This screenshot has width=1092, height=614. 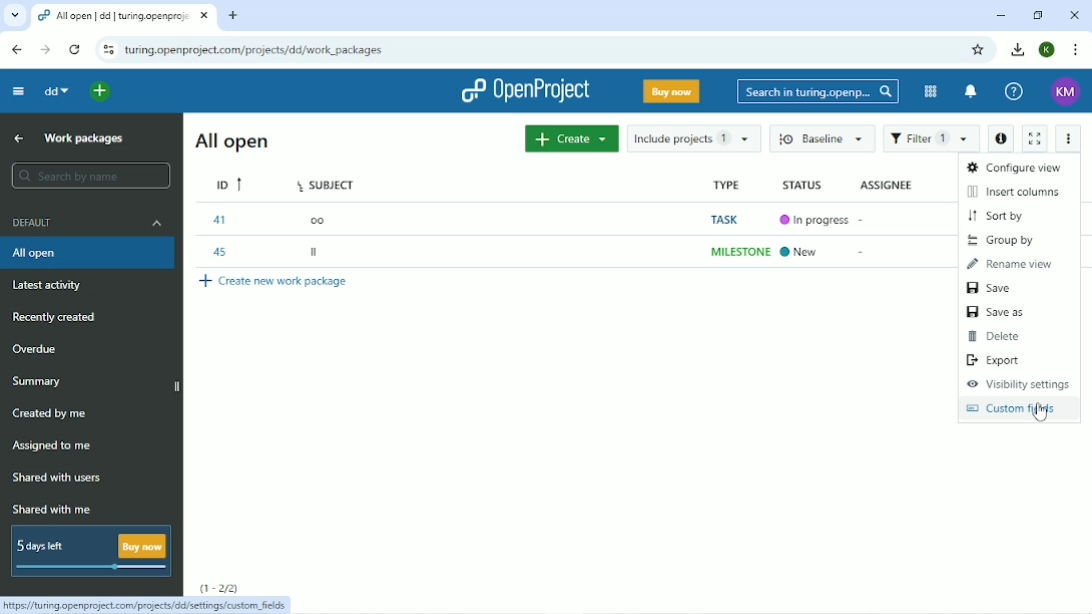 What do you see at coordinates (51, 413) in the screenshot?
I see `Created by name` at bounding box center [51, 413].